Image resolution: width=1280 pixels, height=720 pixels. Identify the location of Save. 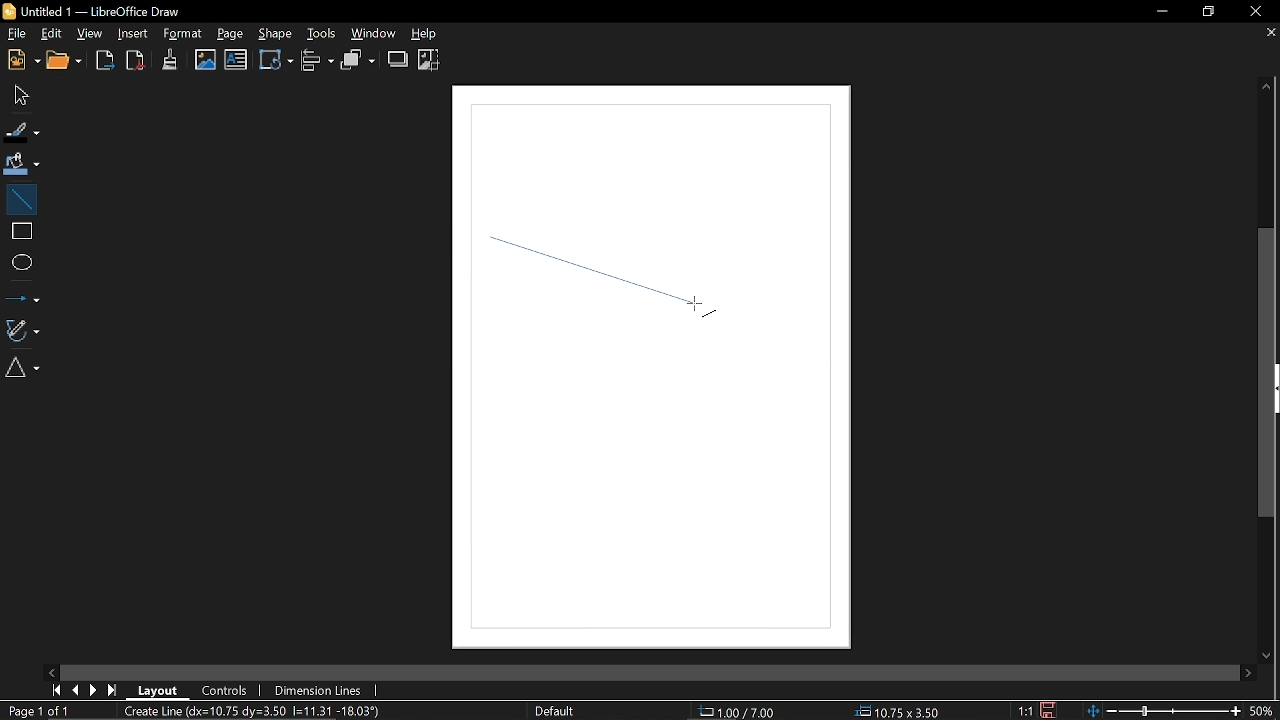
(1048, 711).